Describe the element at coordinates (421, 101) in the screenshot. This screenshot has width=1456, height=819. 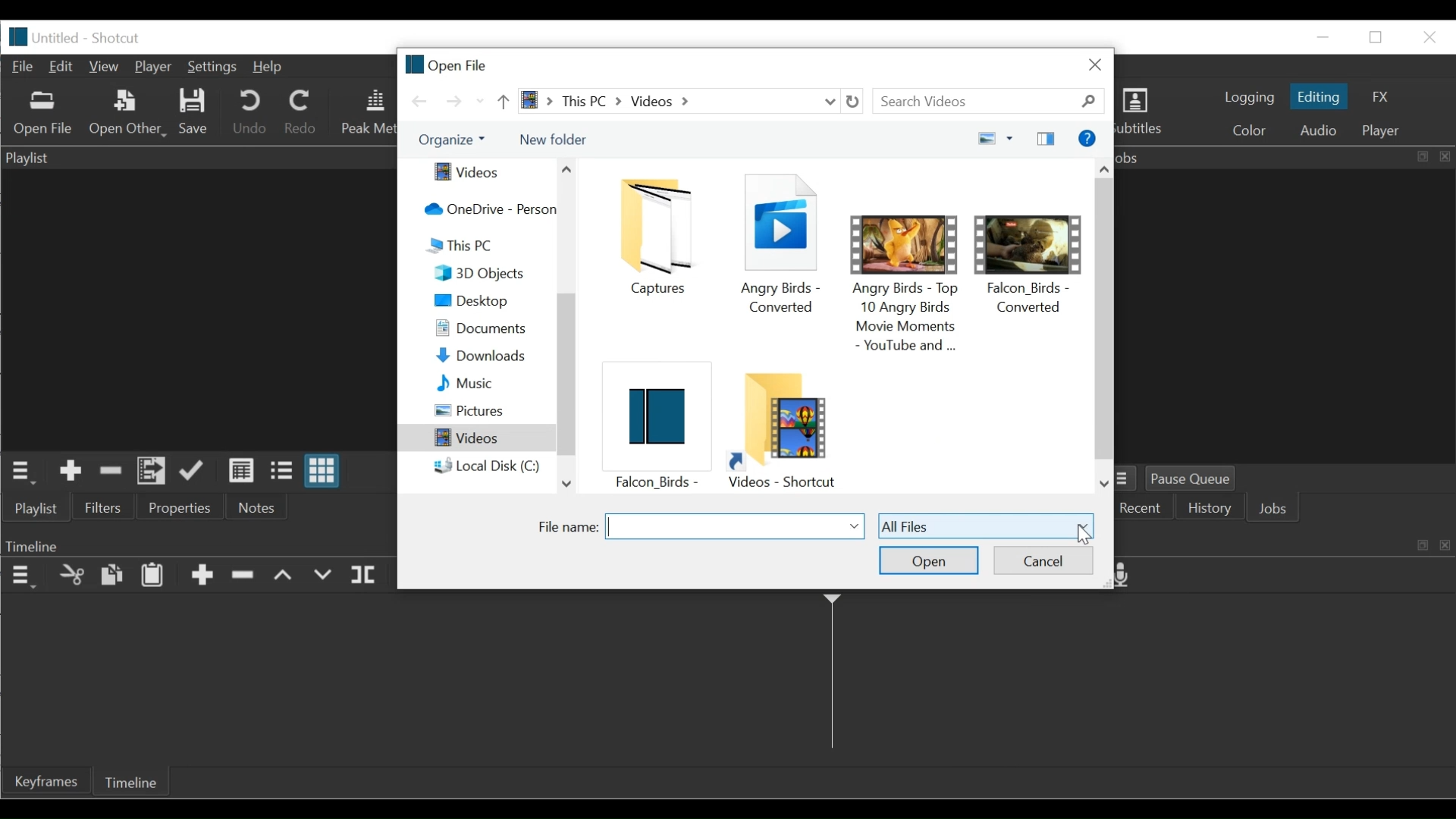
I see `Go back` at that location.